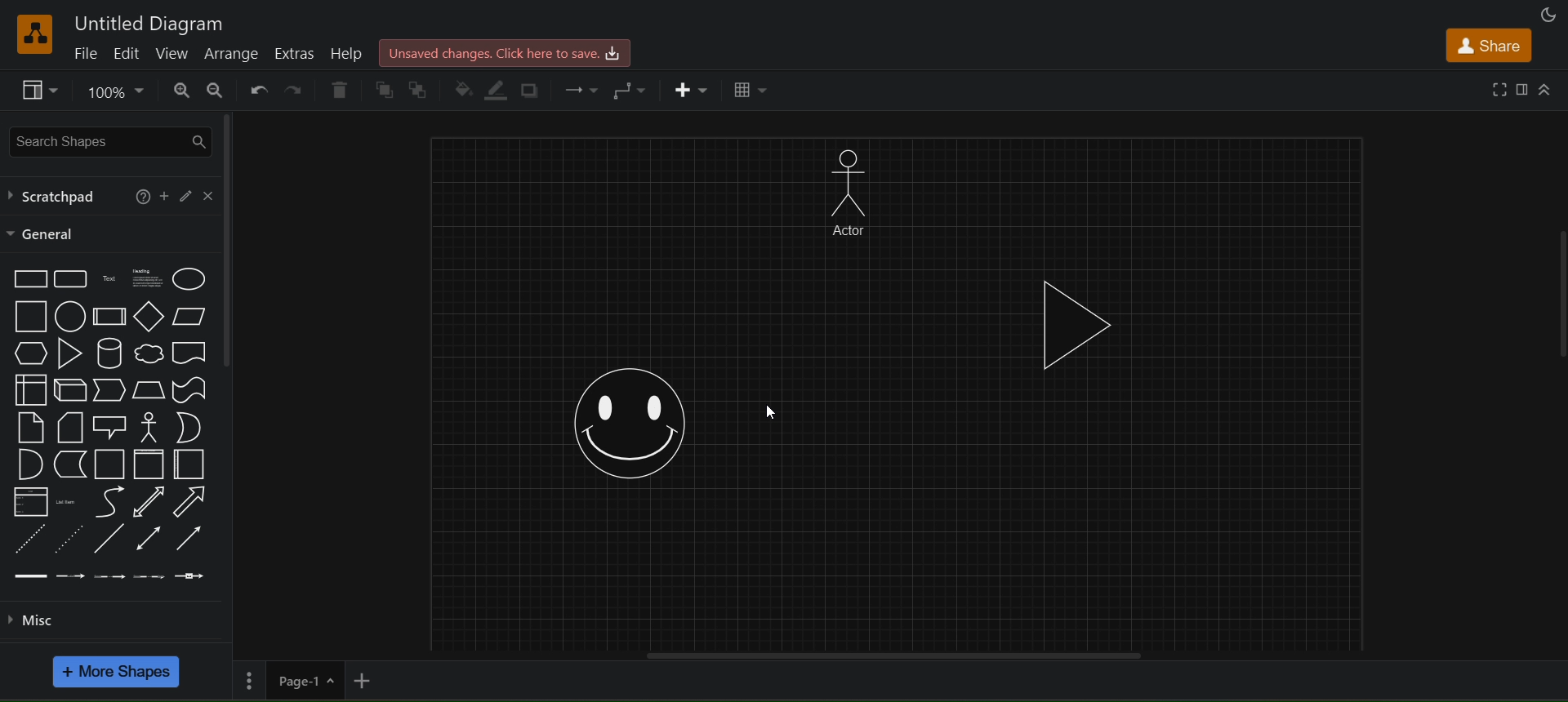 The width and height of the screenshot is (1568, 702). What do you see at coordinates (152, 22) in the screenshot?
I see `untitled diagram` at bounding box center [152, 22].